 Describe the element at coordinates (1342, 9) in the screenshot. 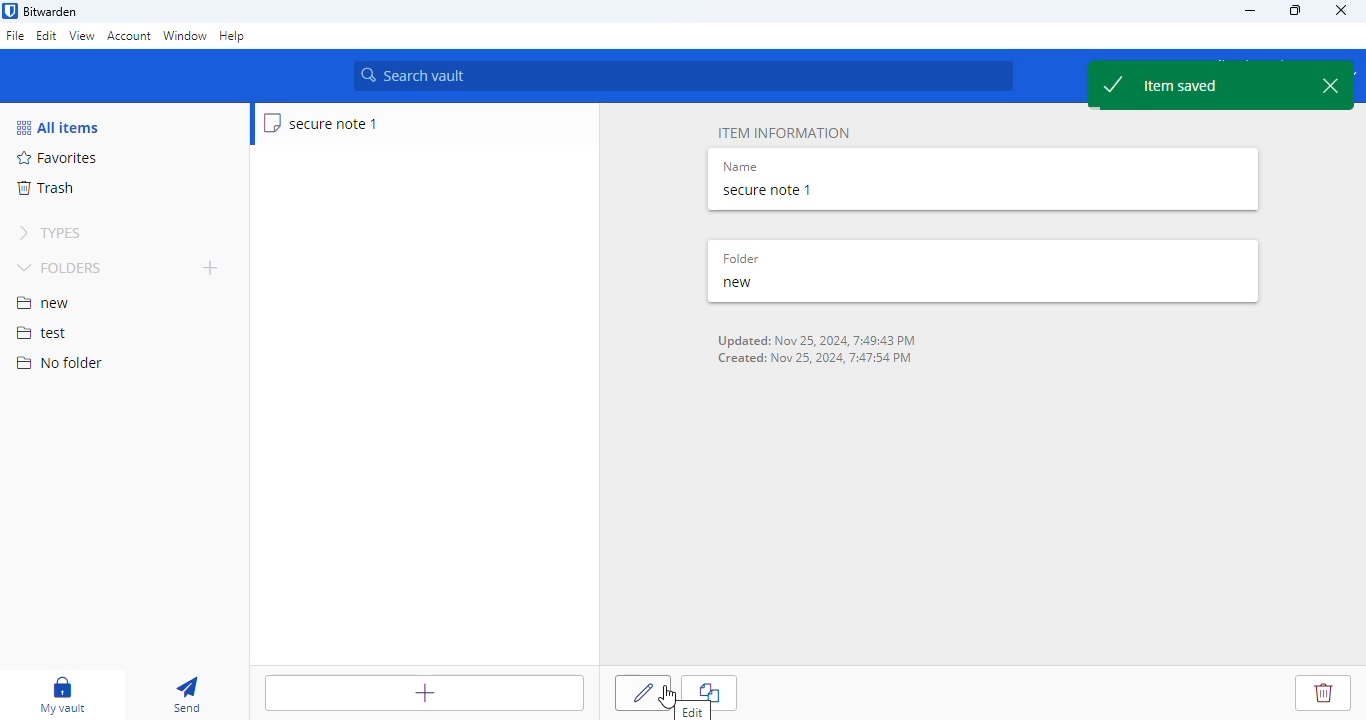

I see `close` at that location.